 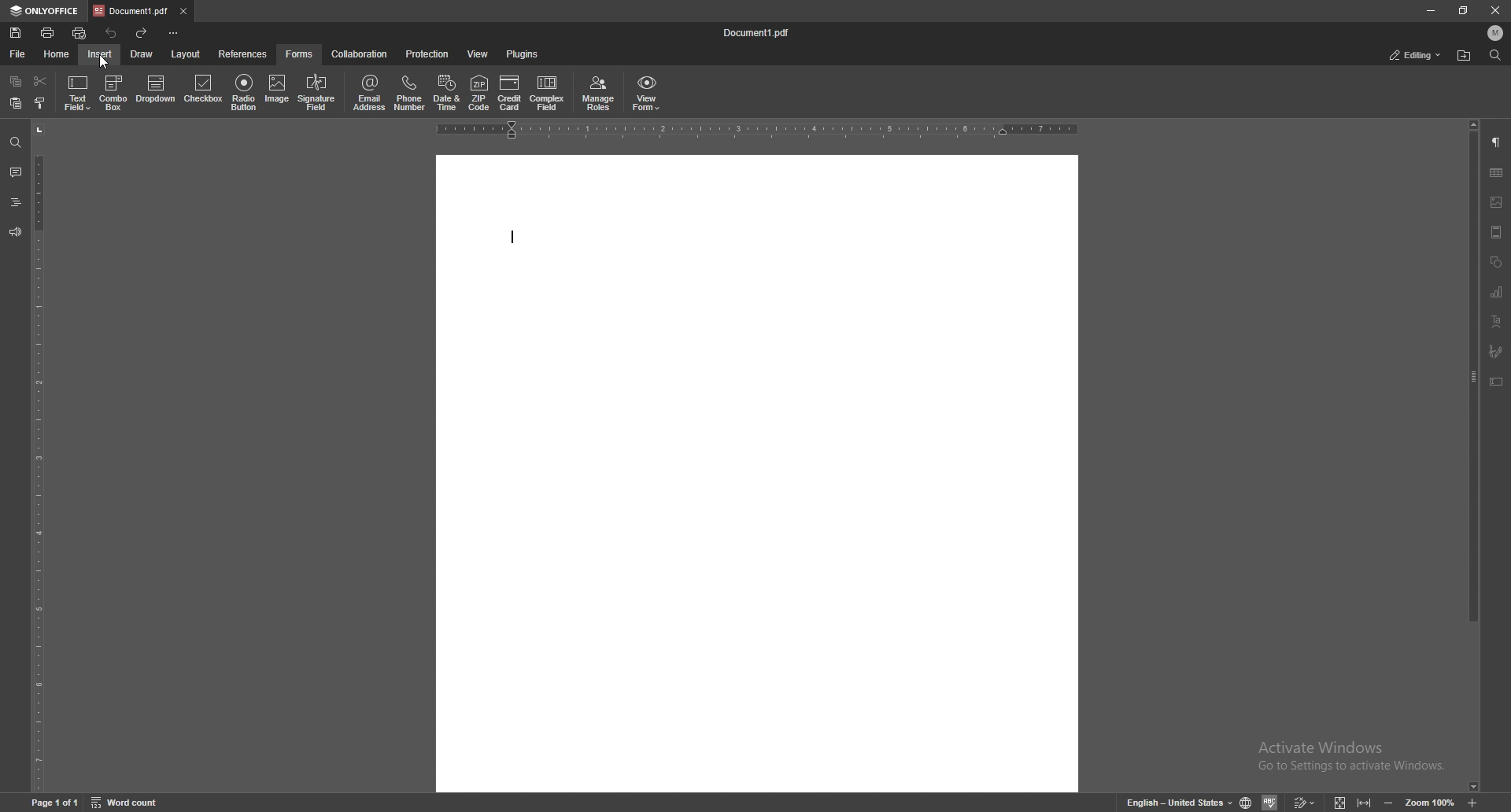 What do you see at coordinates (1464, 10) in the screenshot?
I see `resize` at bounding box center [1464, 10].